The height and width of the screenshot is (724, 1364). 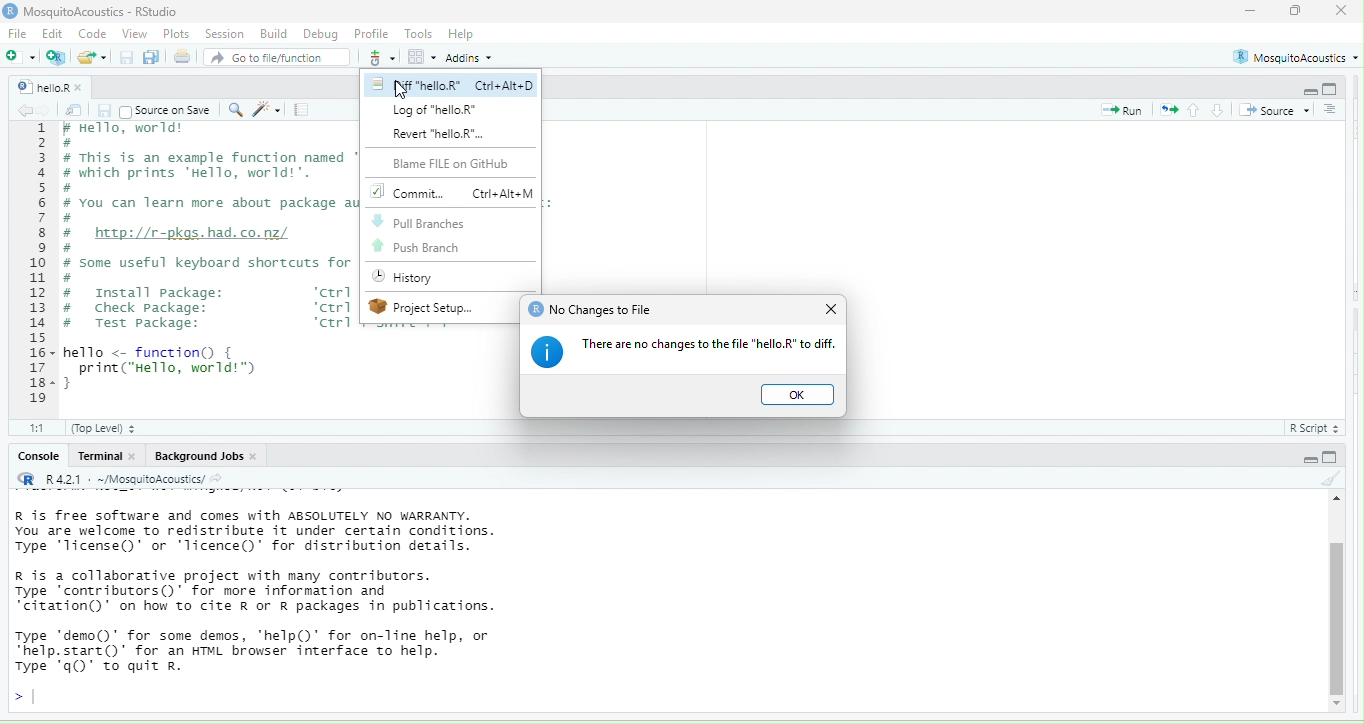 What do you see at coordinates (1311, 459) in the screenshot?
I see `hide r script` at bounding box center [1311, 459].